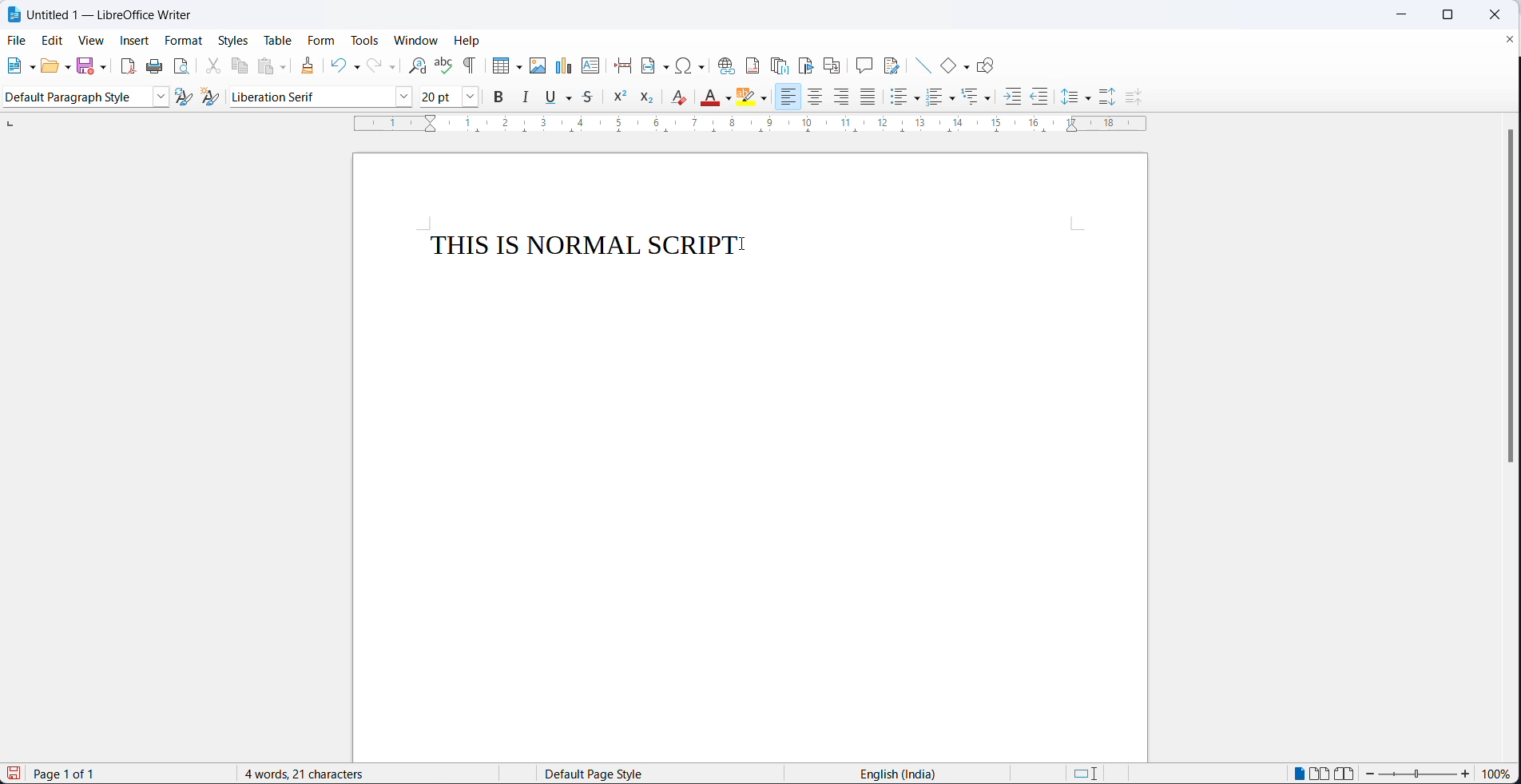 This screenshot has height=784, width=1521. I want to click on clone formatting, so click(312, 66).